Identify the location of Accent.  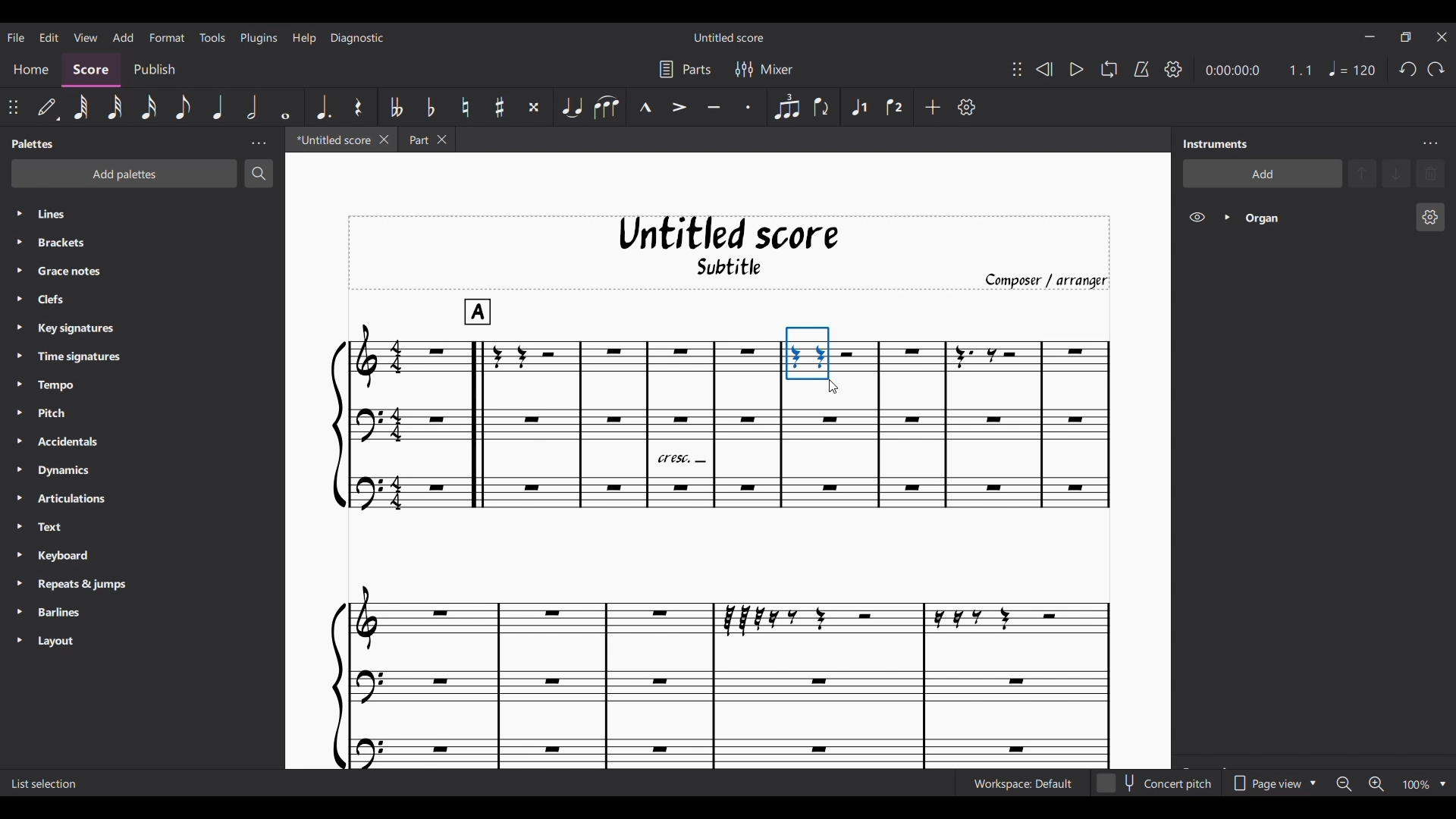
(679, 108).